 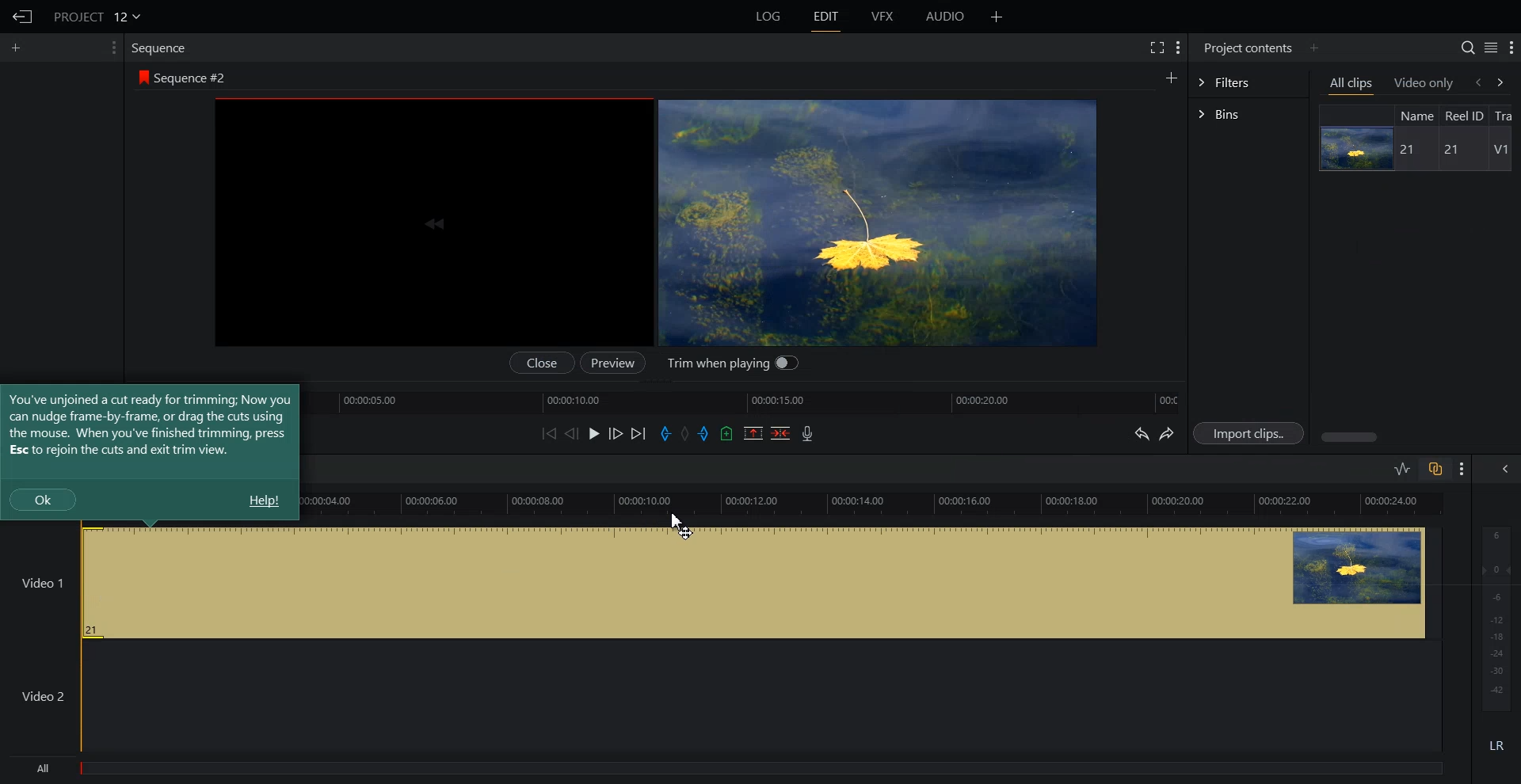 I want to click on Timeline, so click(x=750, y=401).